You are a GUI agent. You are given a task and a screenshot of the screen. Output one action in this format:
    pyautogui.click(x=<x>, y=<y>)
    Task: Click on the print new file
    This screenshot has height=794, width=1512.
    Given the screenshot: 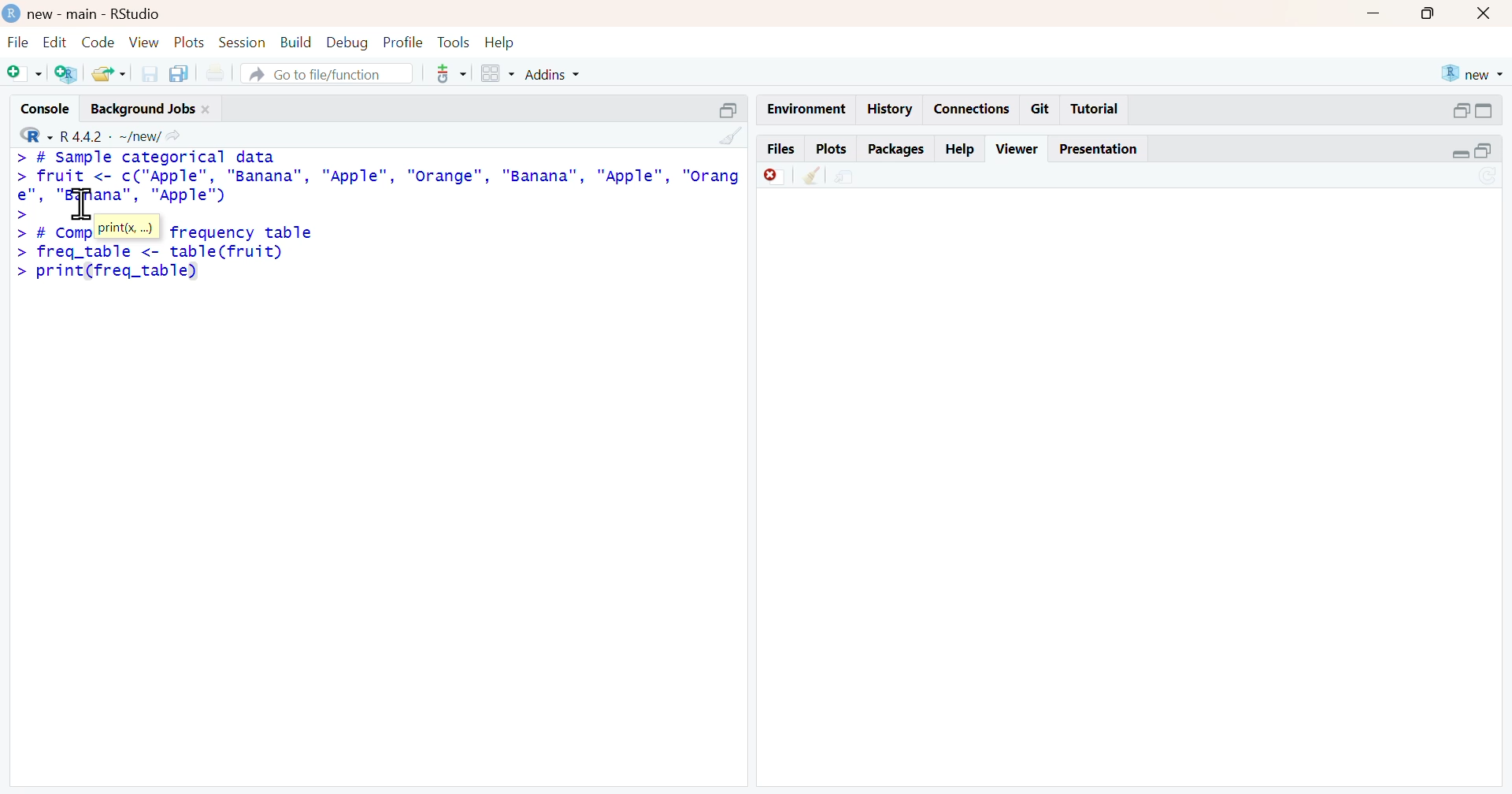 What is the action you would take?
    pyautogui.click(x=217, y=75)
    